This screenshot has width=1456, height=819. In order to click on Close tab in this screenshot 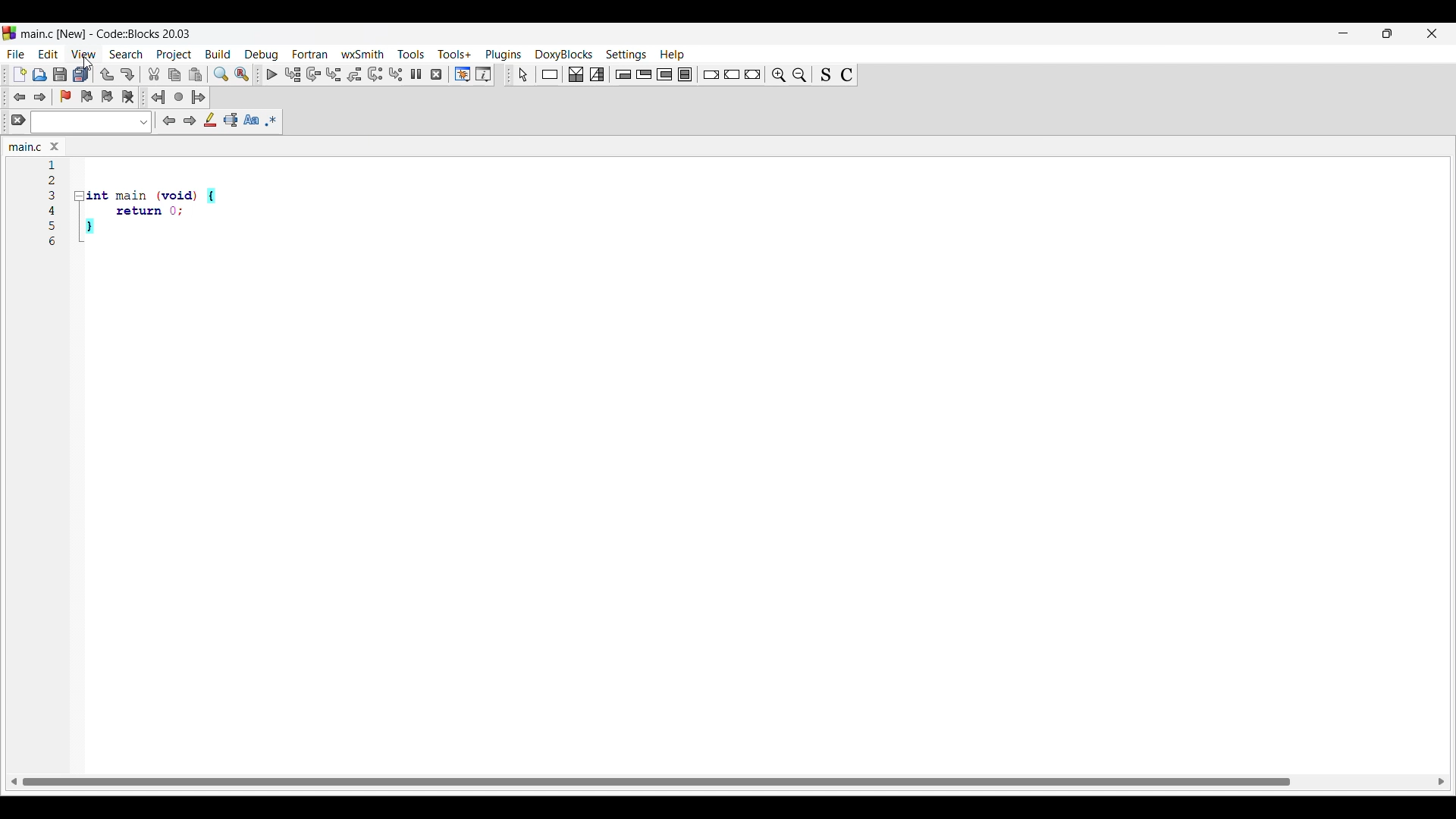, I will do `click(54, 146)`.